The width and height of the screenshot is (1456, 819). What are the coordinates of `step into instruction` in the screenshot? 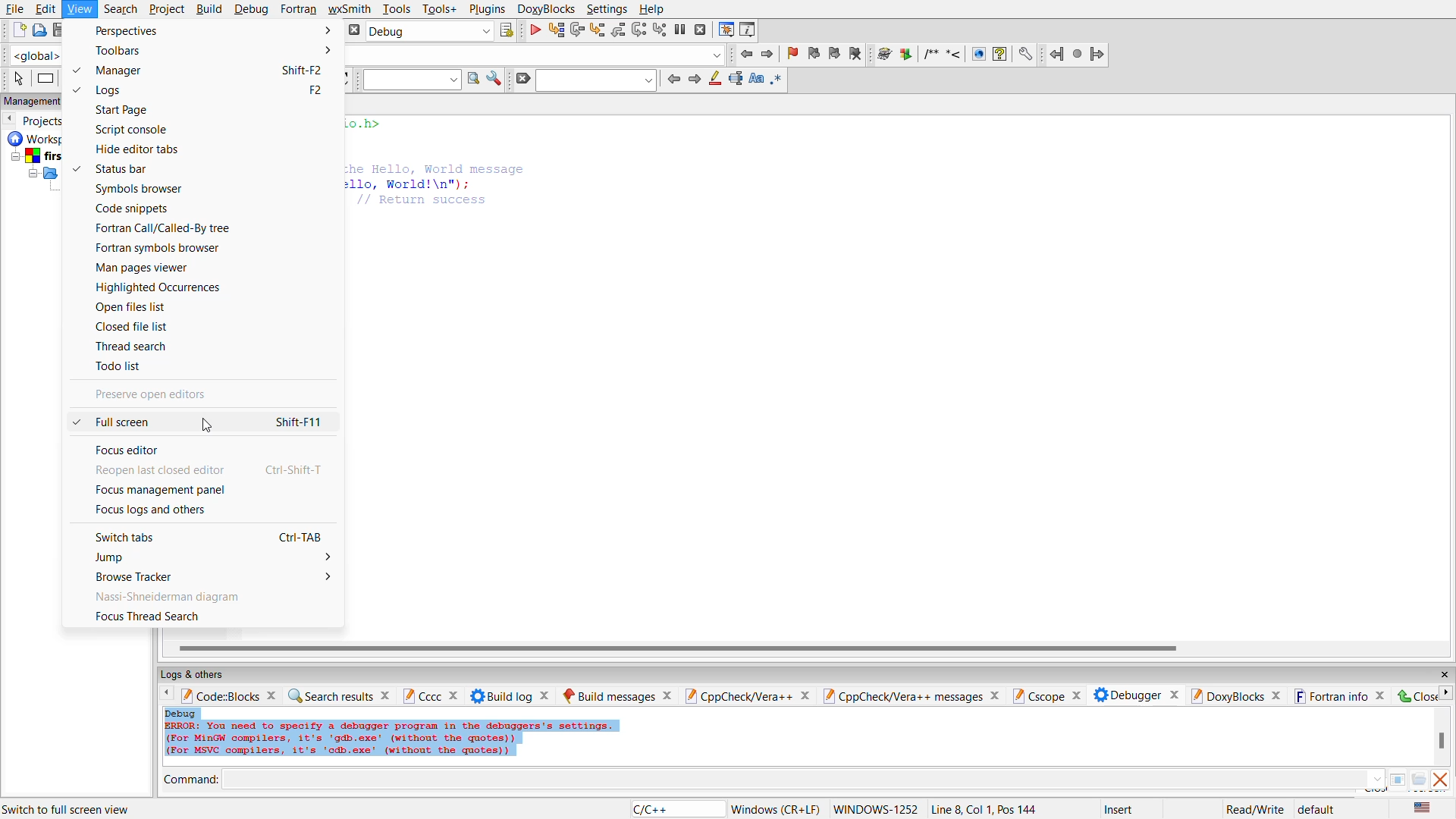 It's located at (659, 31).